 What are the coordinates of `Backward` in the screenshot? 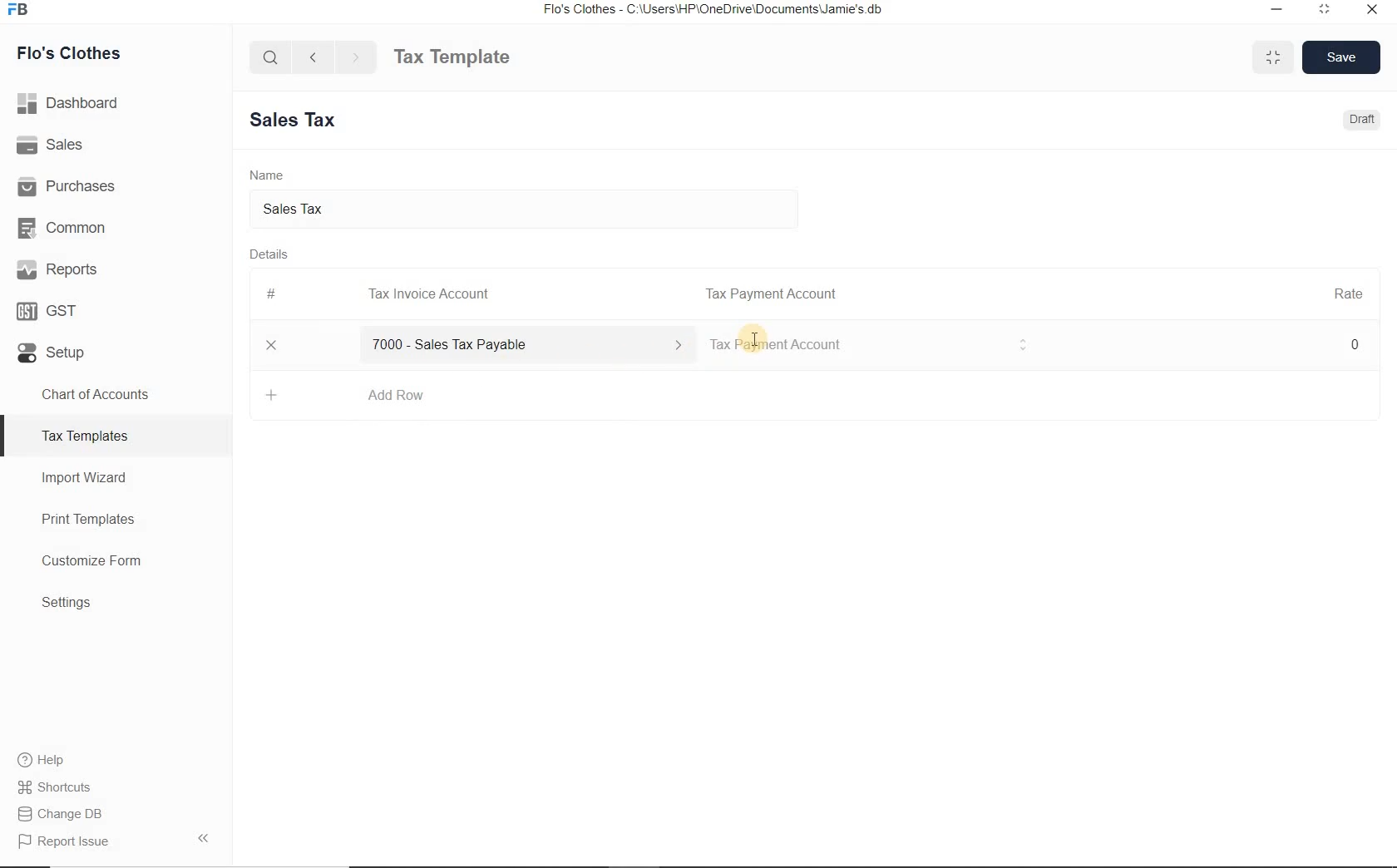 It's located at (313, 56).